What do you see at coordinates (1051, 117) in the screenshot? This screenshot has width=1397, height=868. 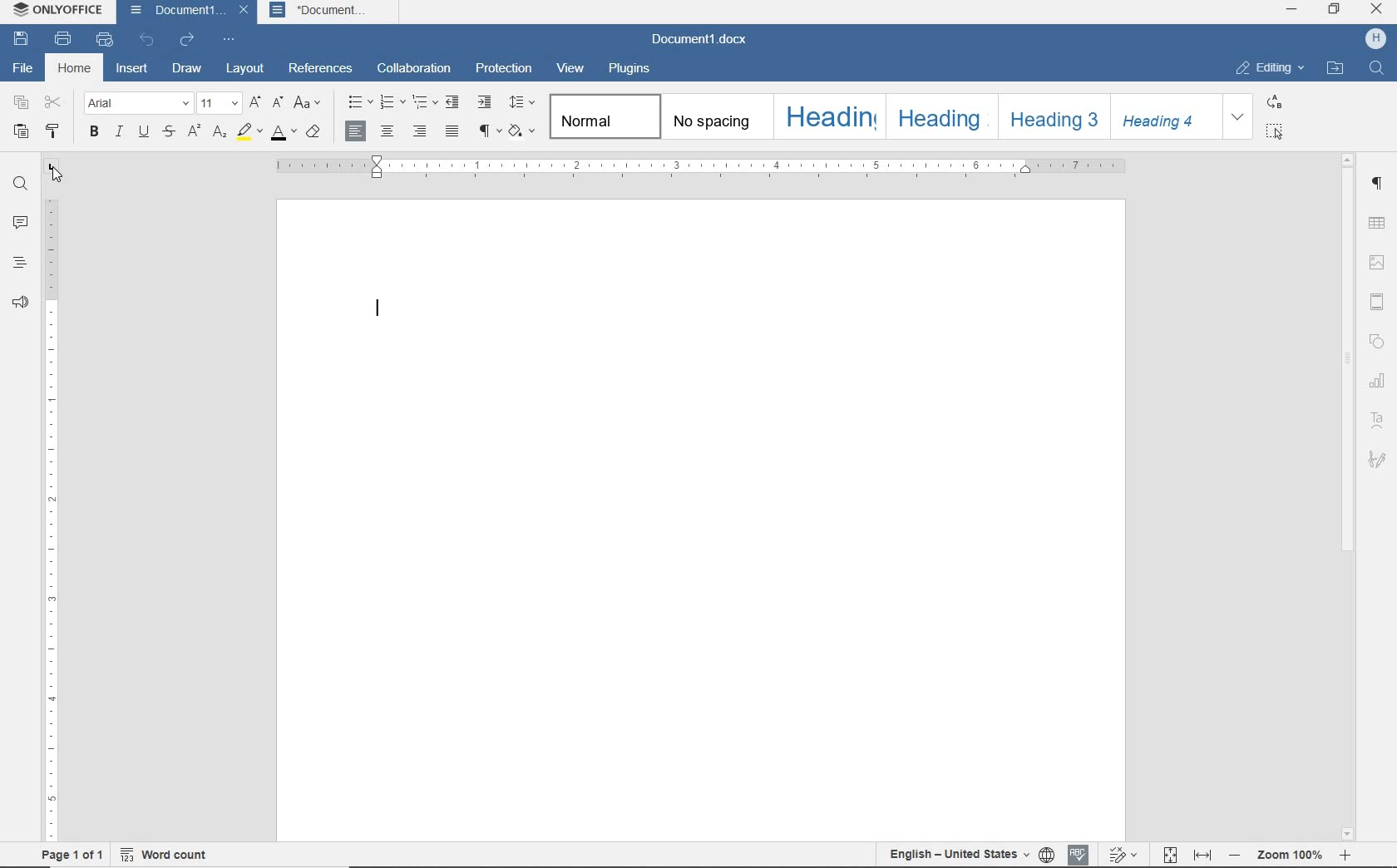 I see `HEADING 3` at bounding box center [1051, 117].